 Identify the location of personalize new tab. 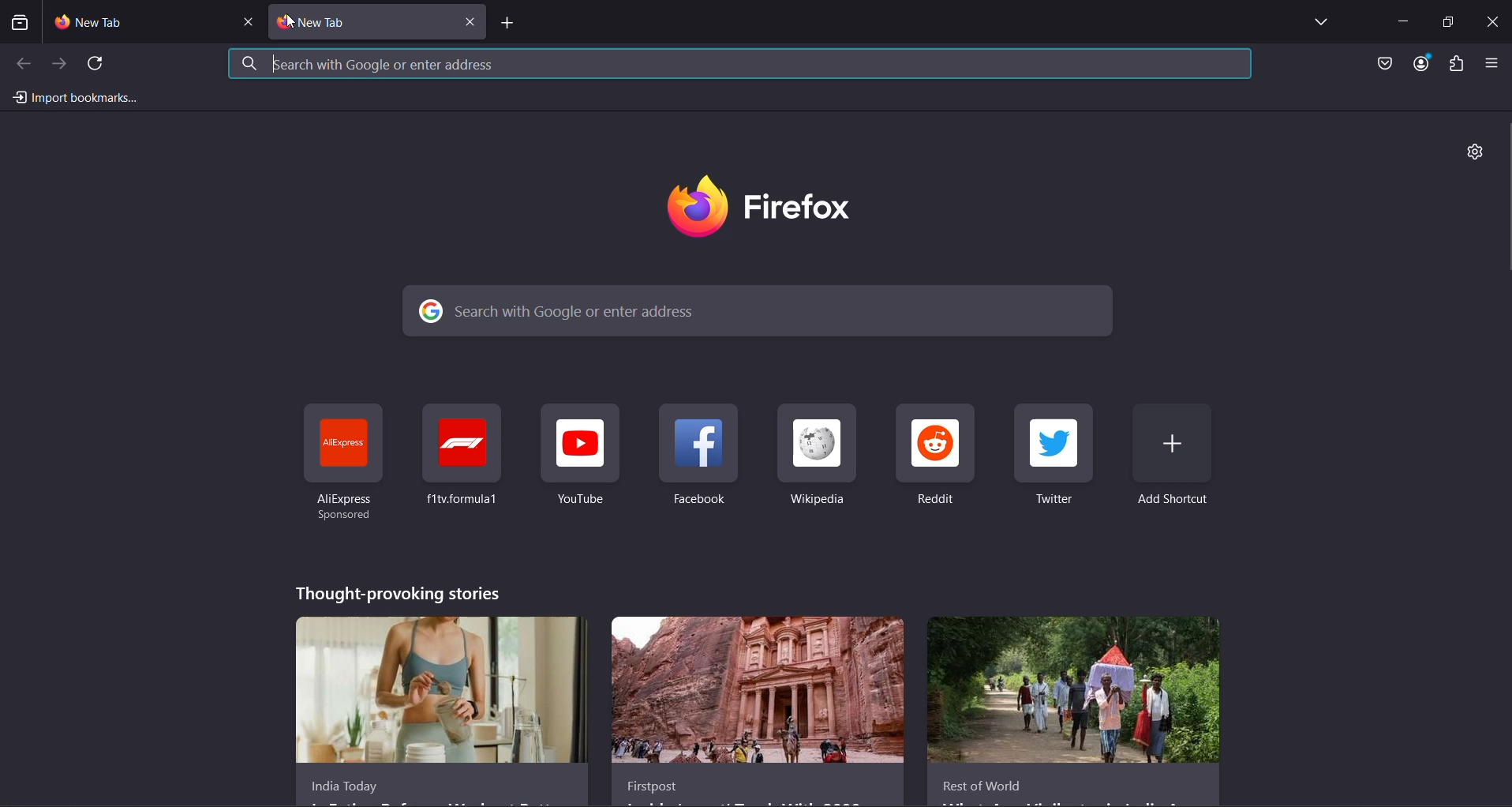
(1474, 152).